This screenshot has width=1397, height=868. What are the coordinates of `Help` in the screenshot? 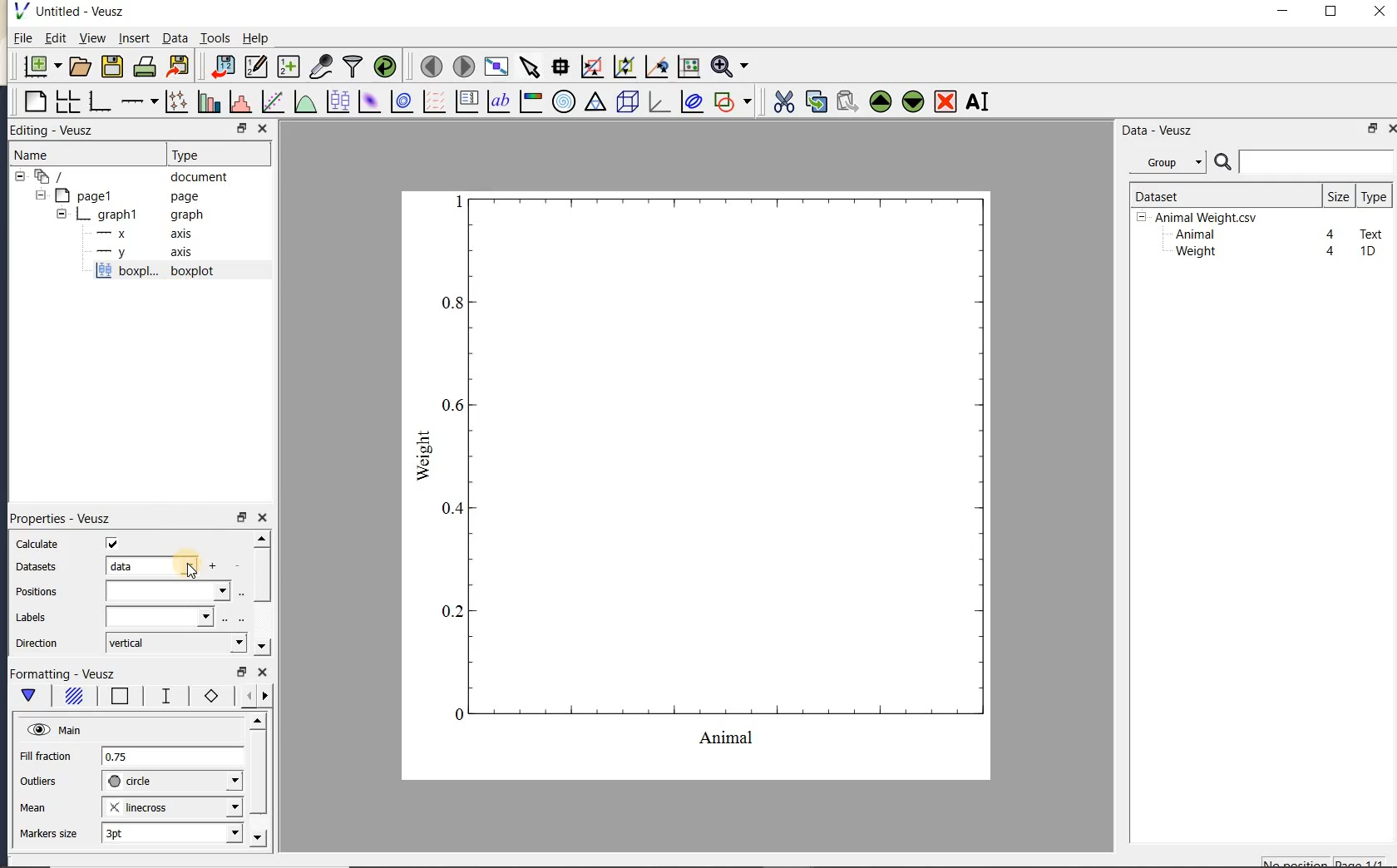 It's located at (255, 38).